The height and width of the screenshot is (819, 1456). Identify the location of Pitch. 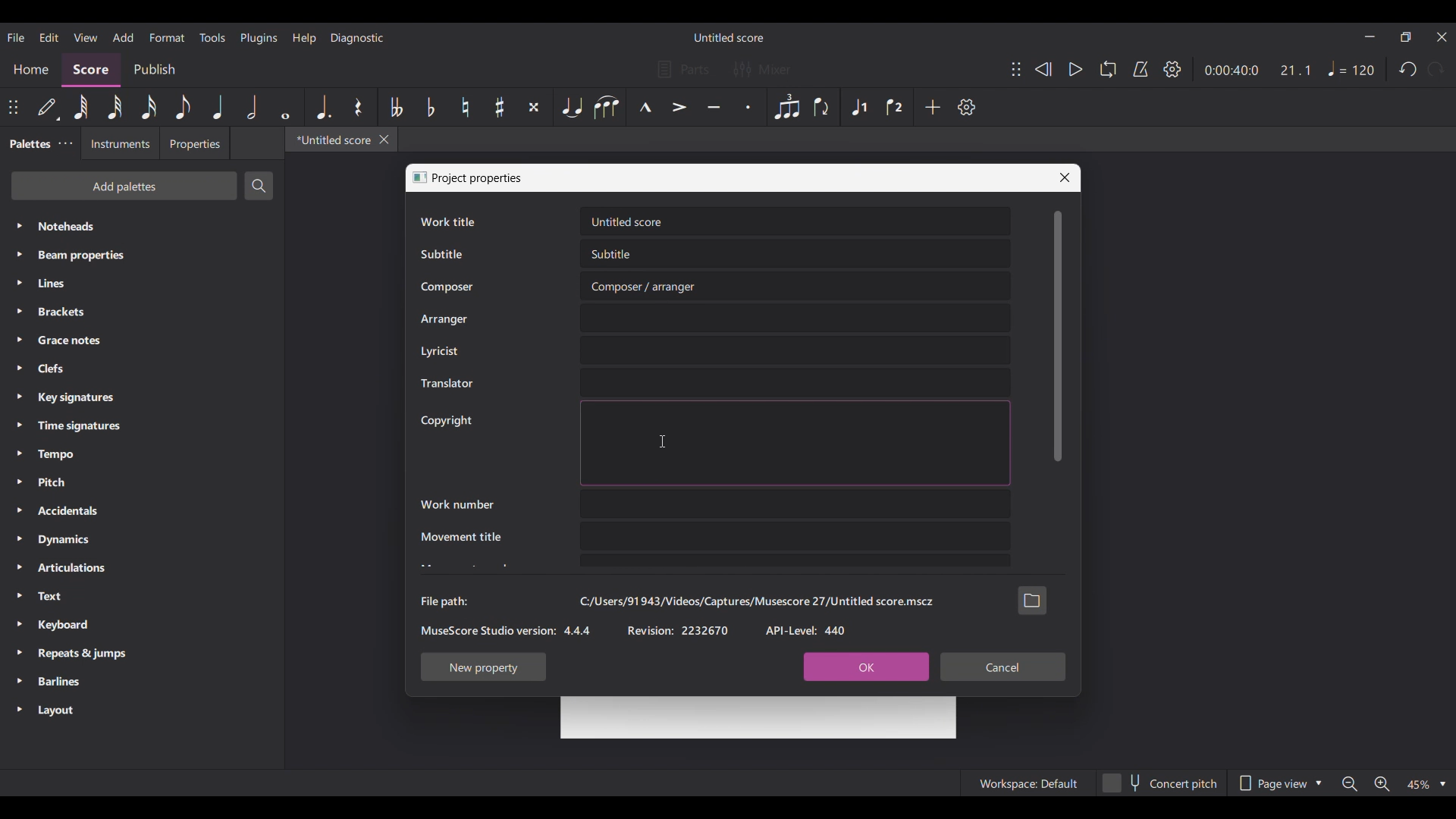
(143, 482).